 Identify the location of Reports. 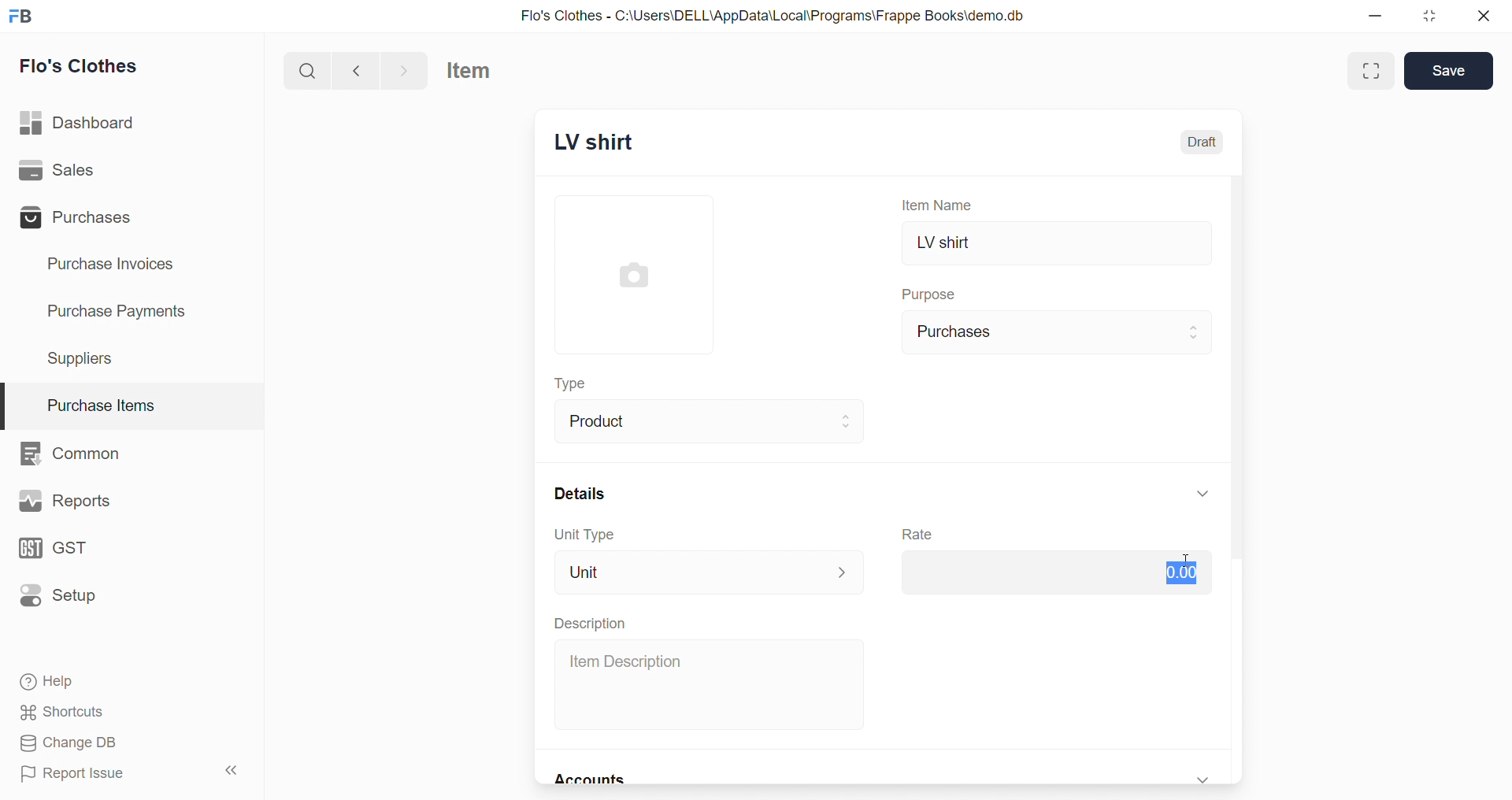
(66, 501).